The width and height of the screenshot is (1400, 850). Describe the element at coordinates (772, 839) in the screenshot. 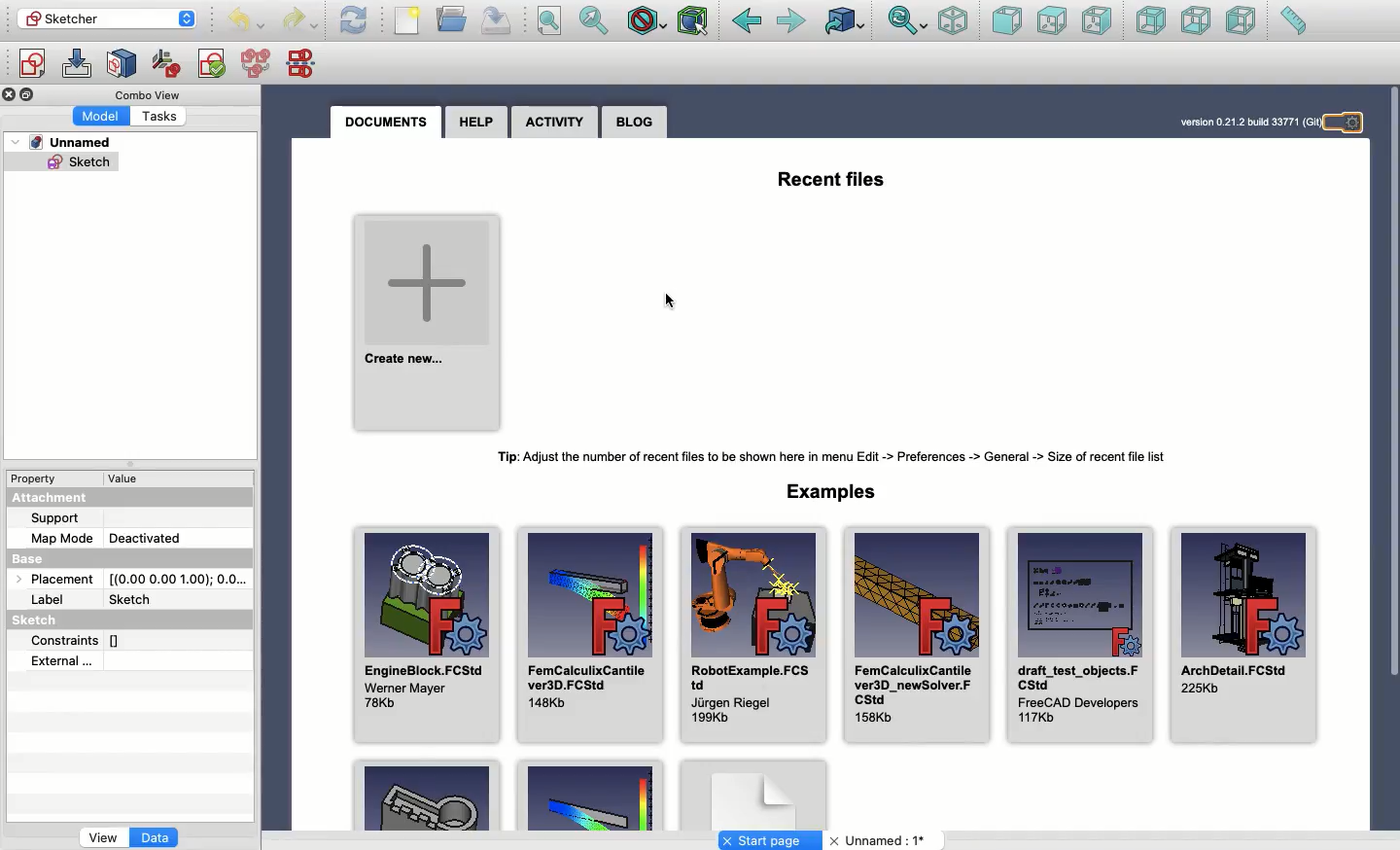

I see `Start page` at that location.